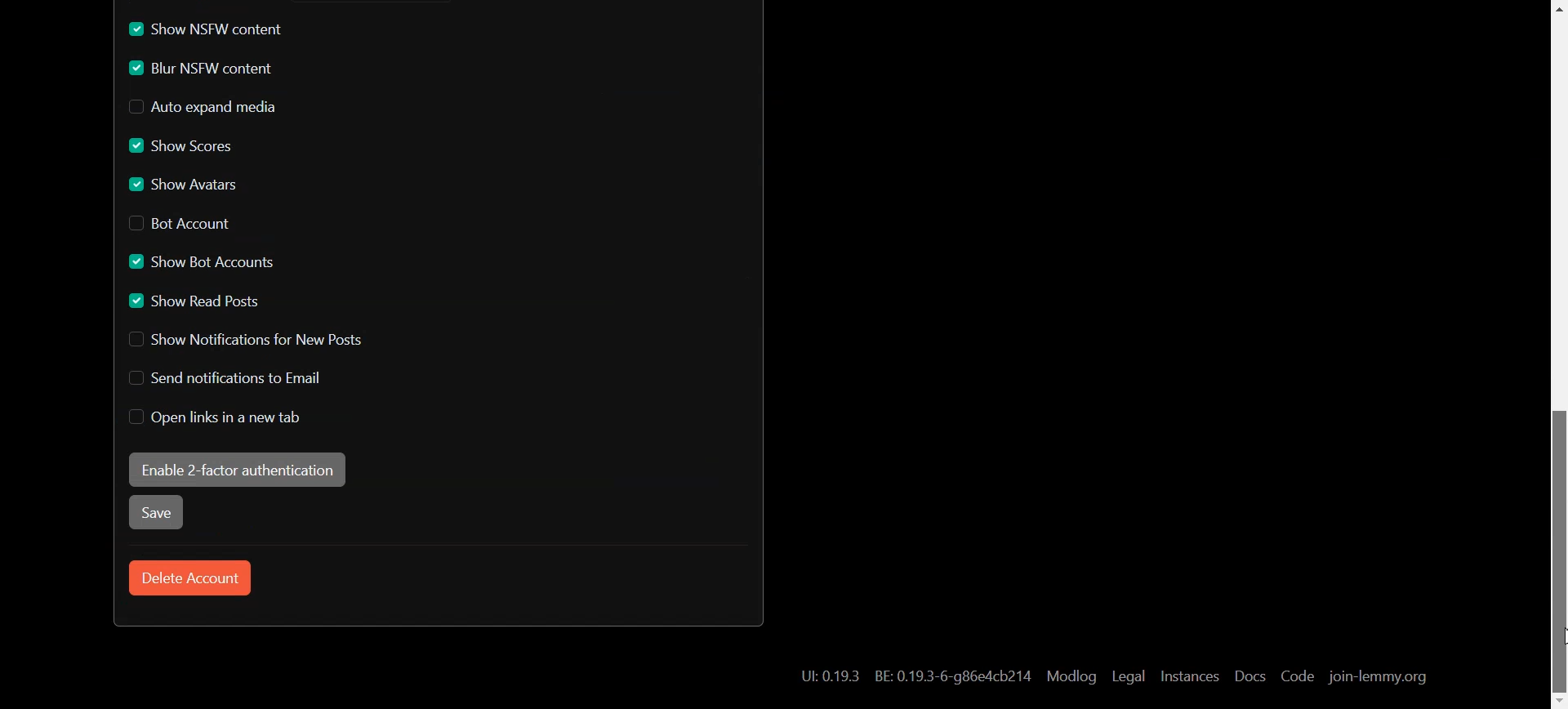  I want to click on Enable Show Bot Account, so click(204, 259).